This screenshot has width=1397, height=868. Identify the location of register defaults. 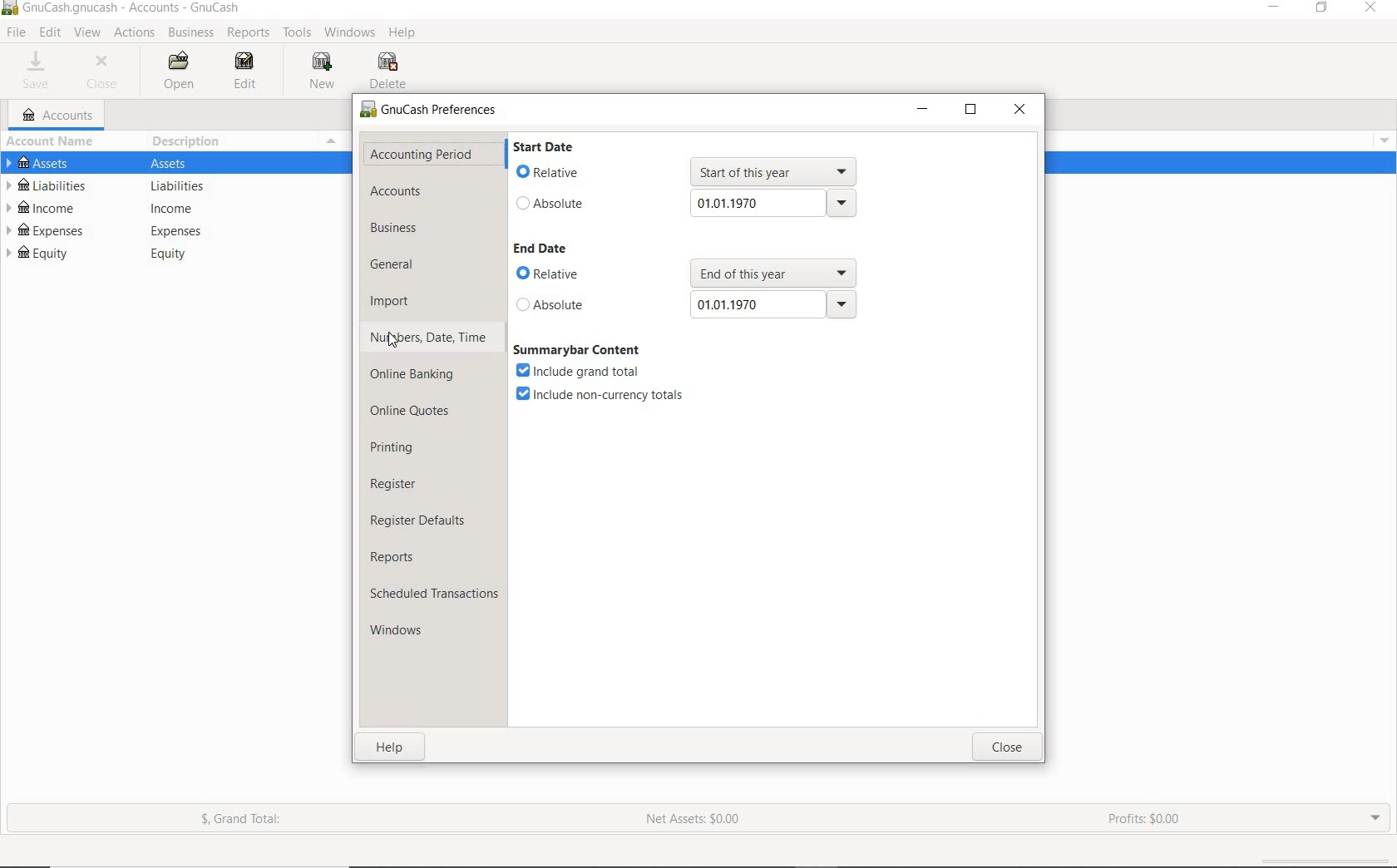
(422, 521).